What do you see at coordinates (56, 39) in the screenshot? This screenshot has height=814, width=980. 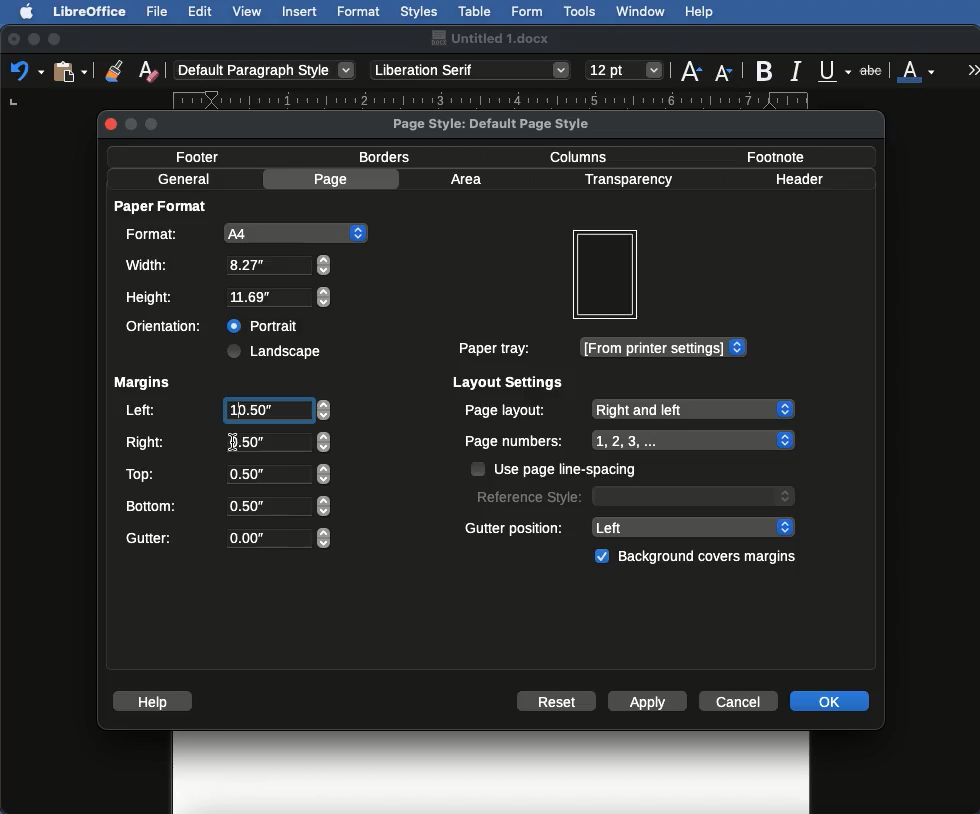 I see `Maximize` at bounding box center [56, 39].